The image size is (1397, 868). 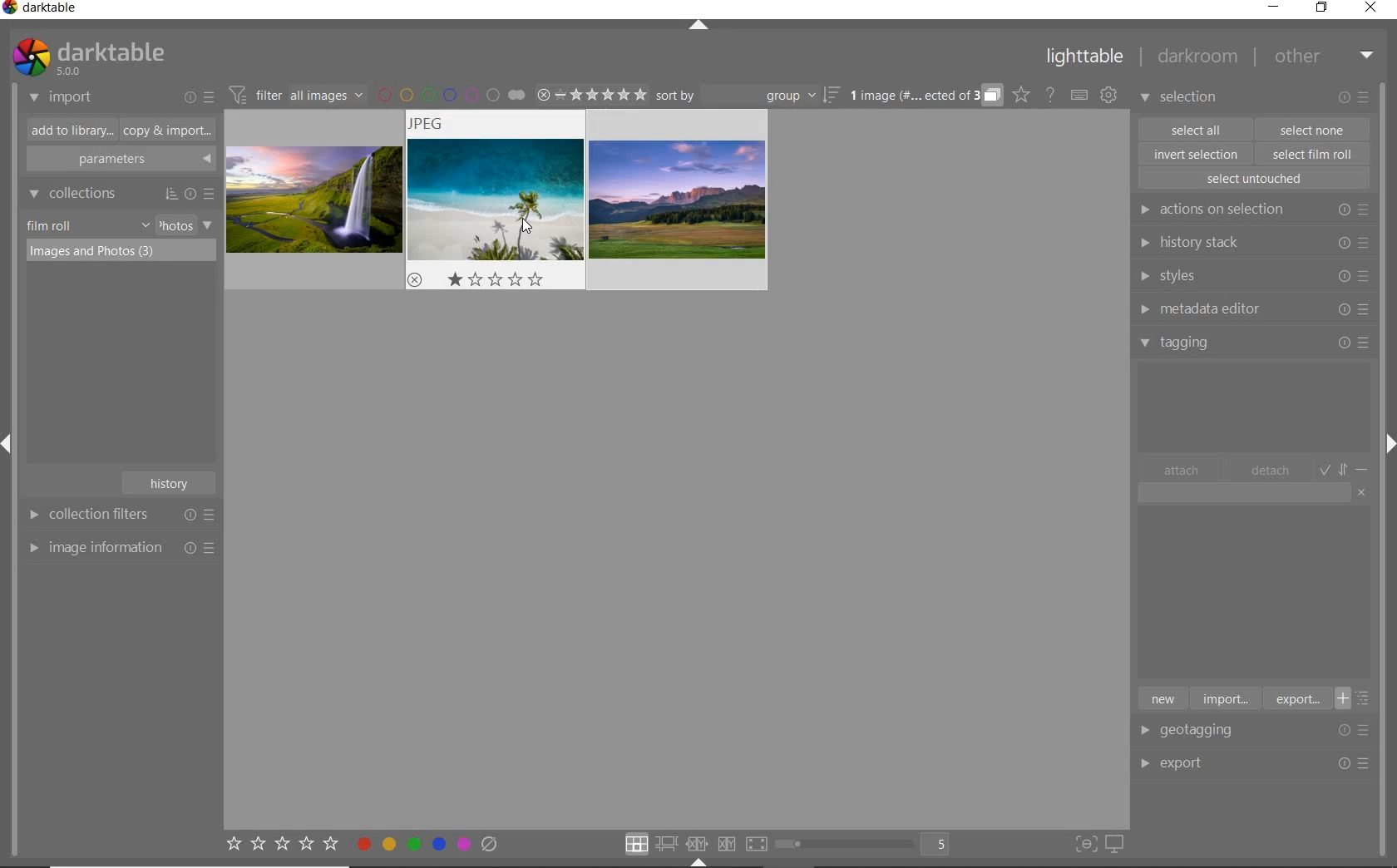 I want to click on click option to select layout, so click(x=693, y=844).